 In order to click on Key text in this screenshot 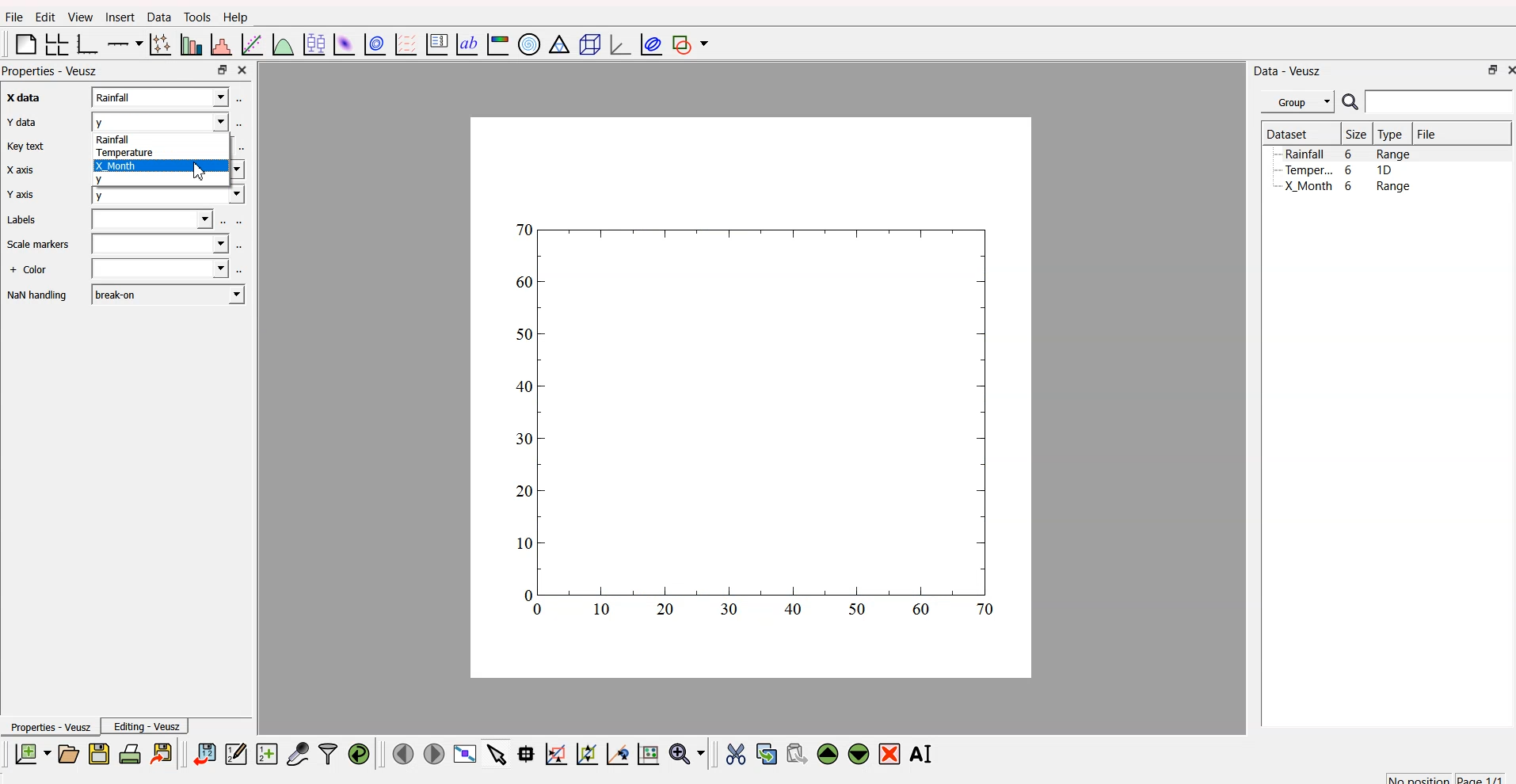, I will do `click(27, 147)`.